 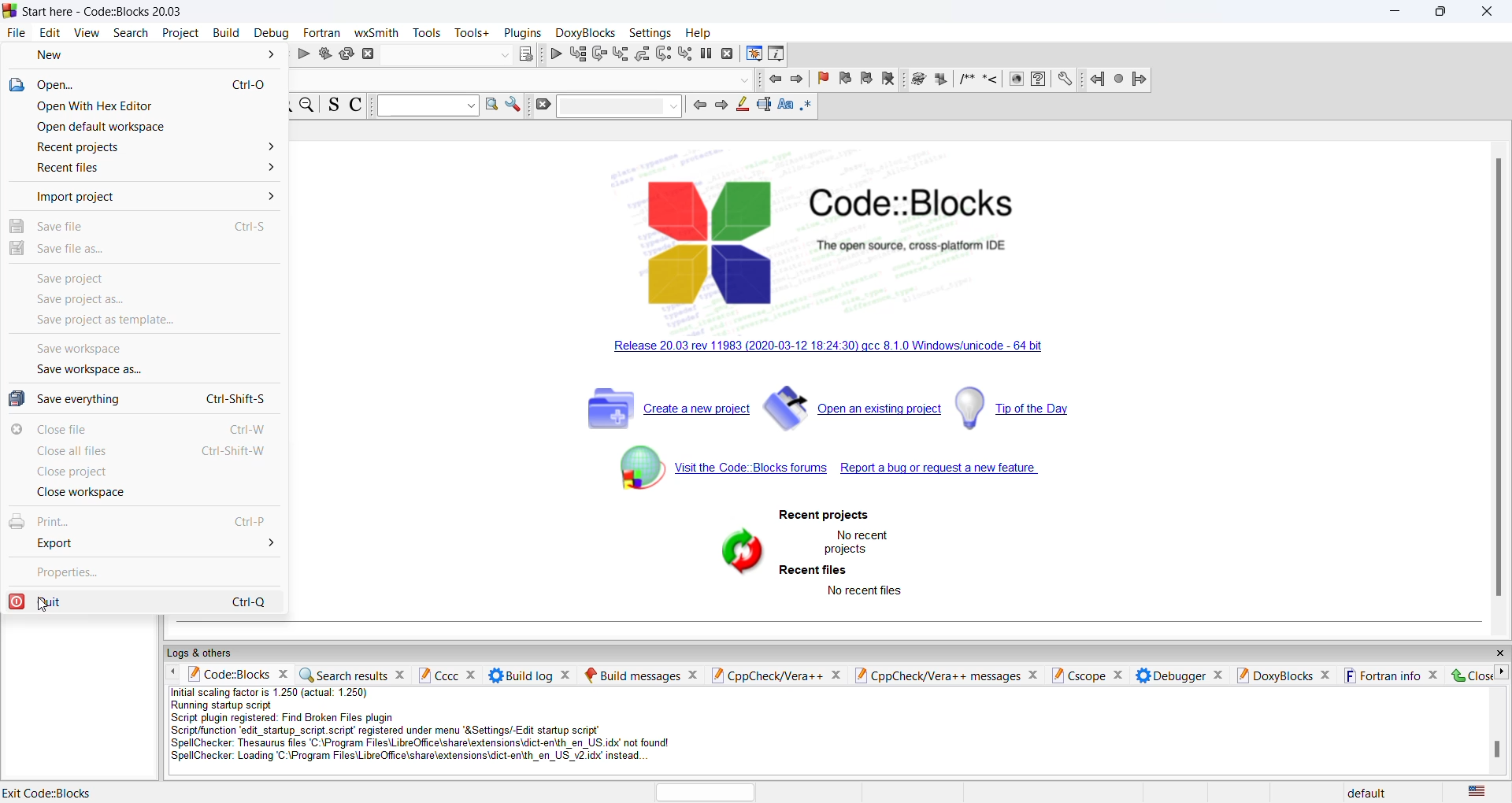 I want to click on close, so click(x=472, y=675).